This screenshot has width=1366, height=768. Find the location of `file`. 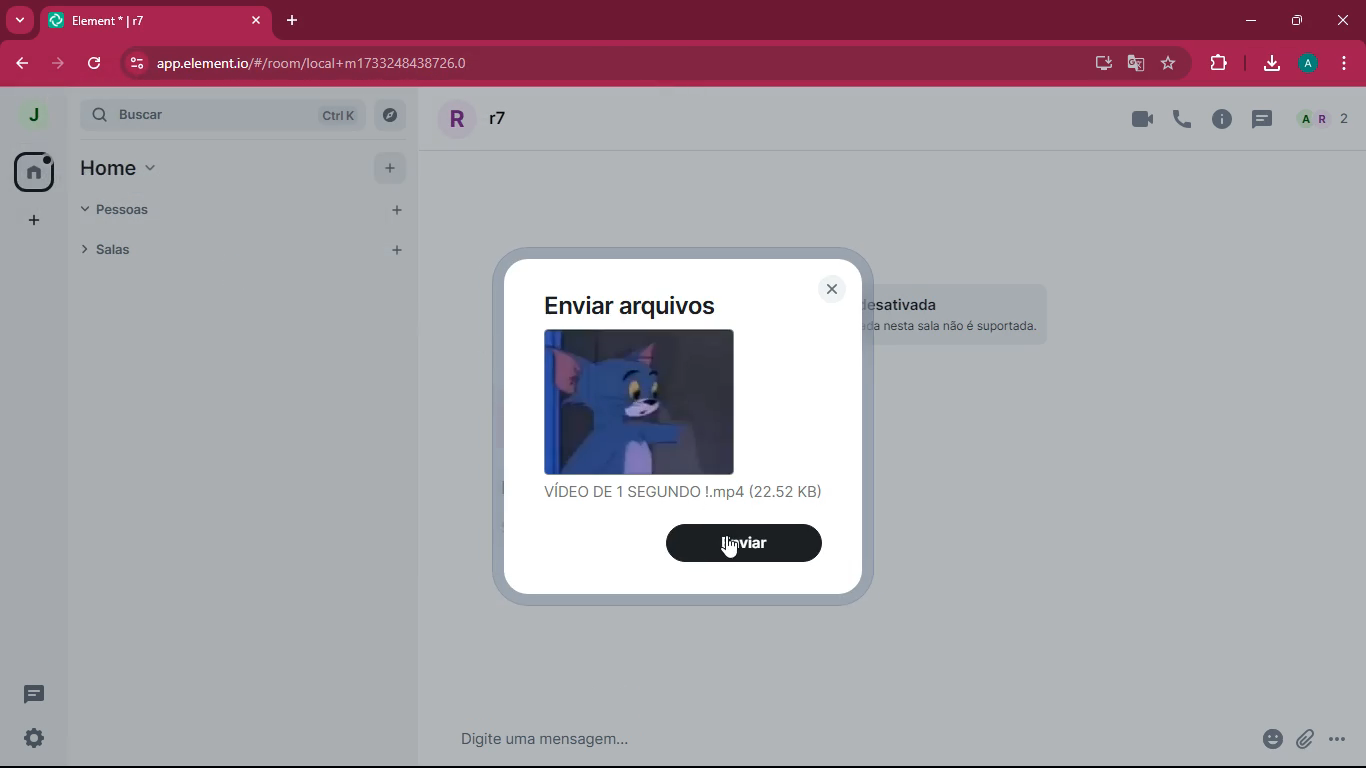

file is located at coordinates (640, 401).